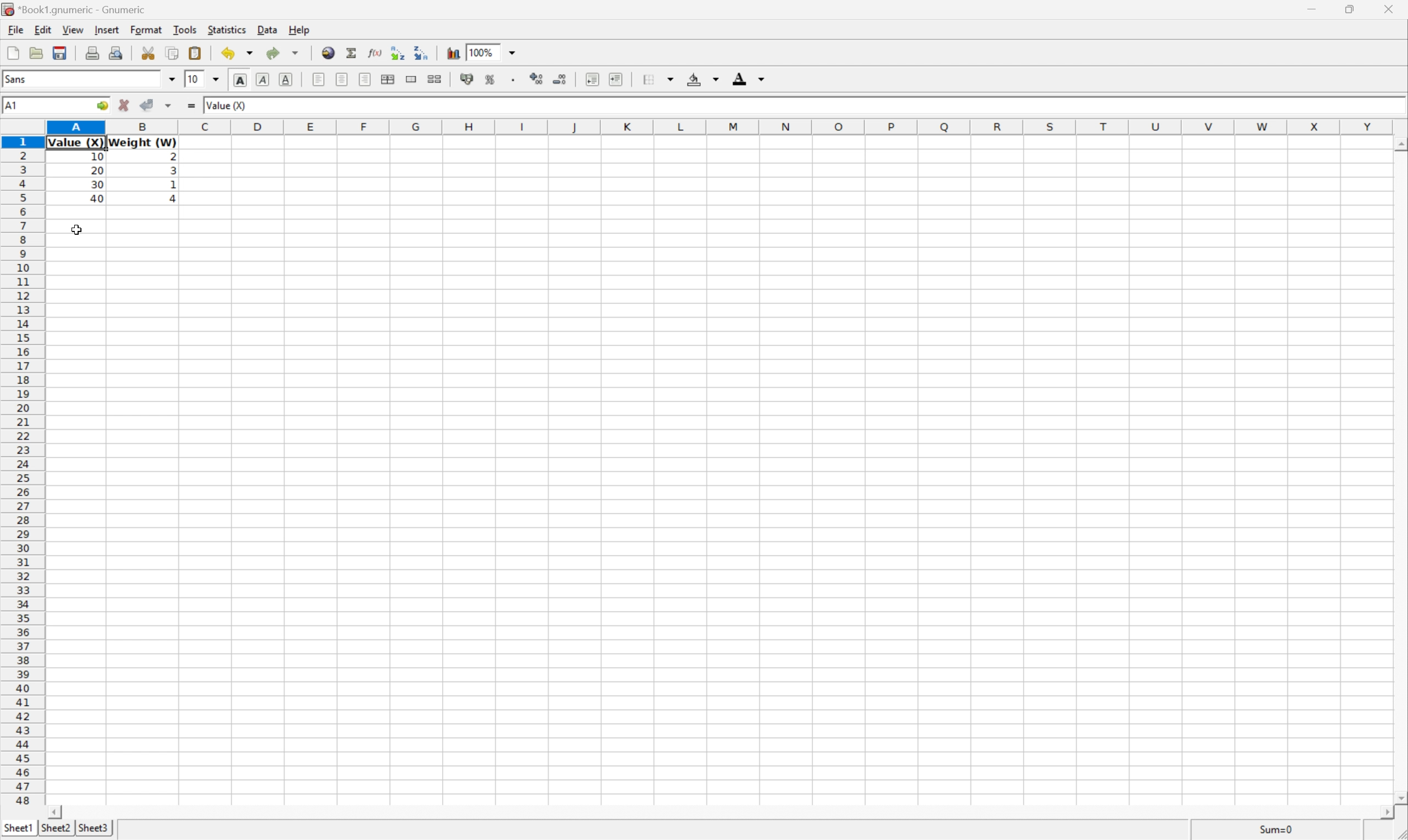 This screenshot has width=1408, height=840. What do you see at coordinates (14, 30) in the screenshot?
I see `File` at bounding box center [14, 30].